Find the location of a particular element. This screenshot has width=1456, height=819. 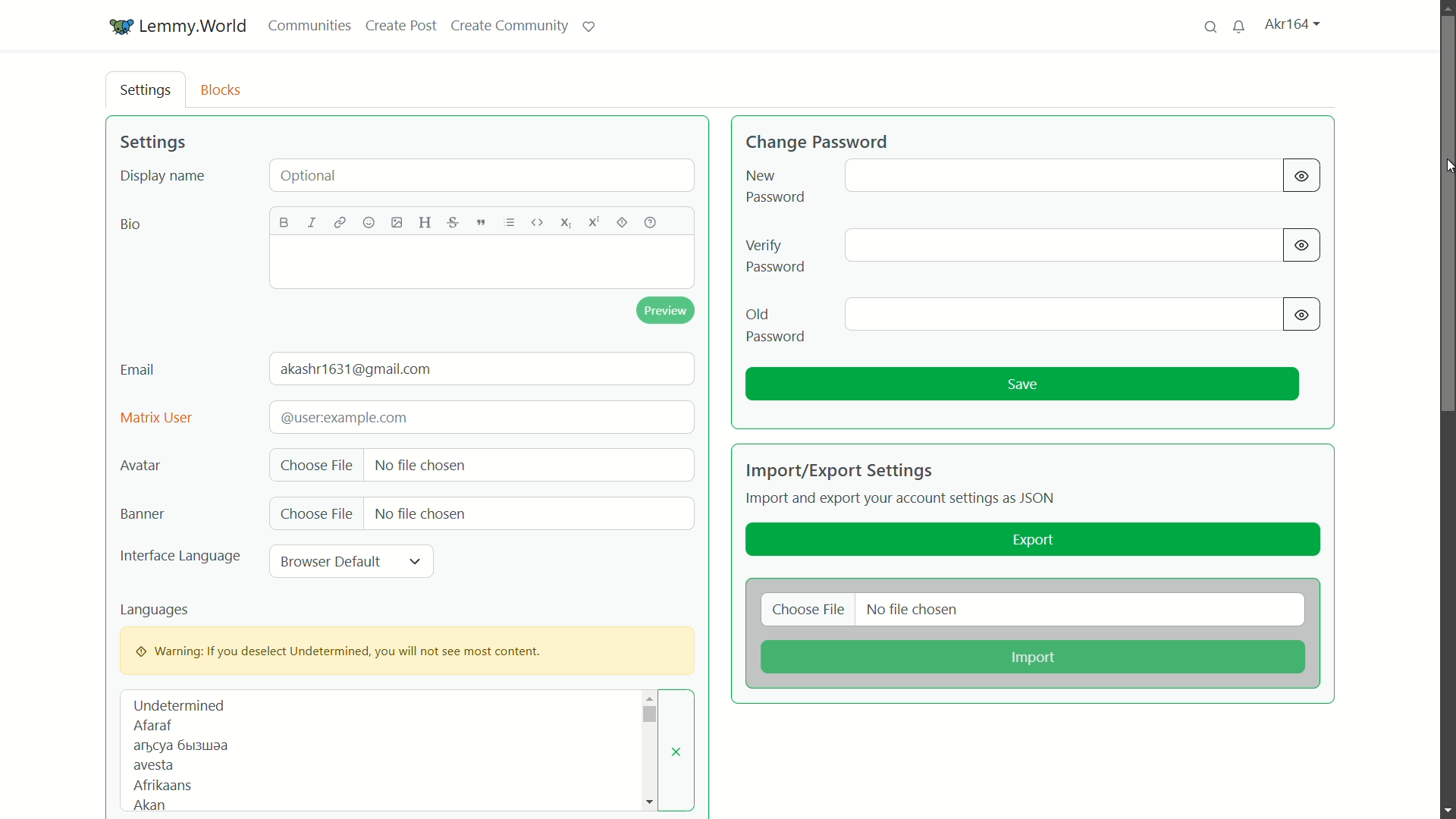

italic is located at coordinates (312, 222).